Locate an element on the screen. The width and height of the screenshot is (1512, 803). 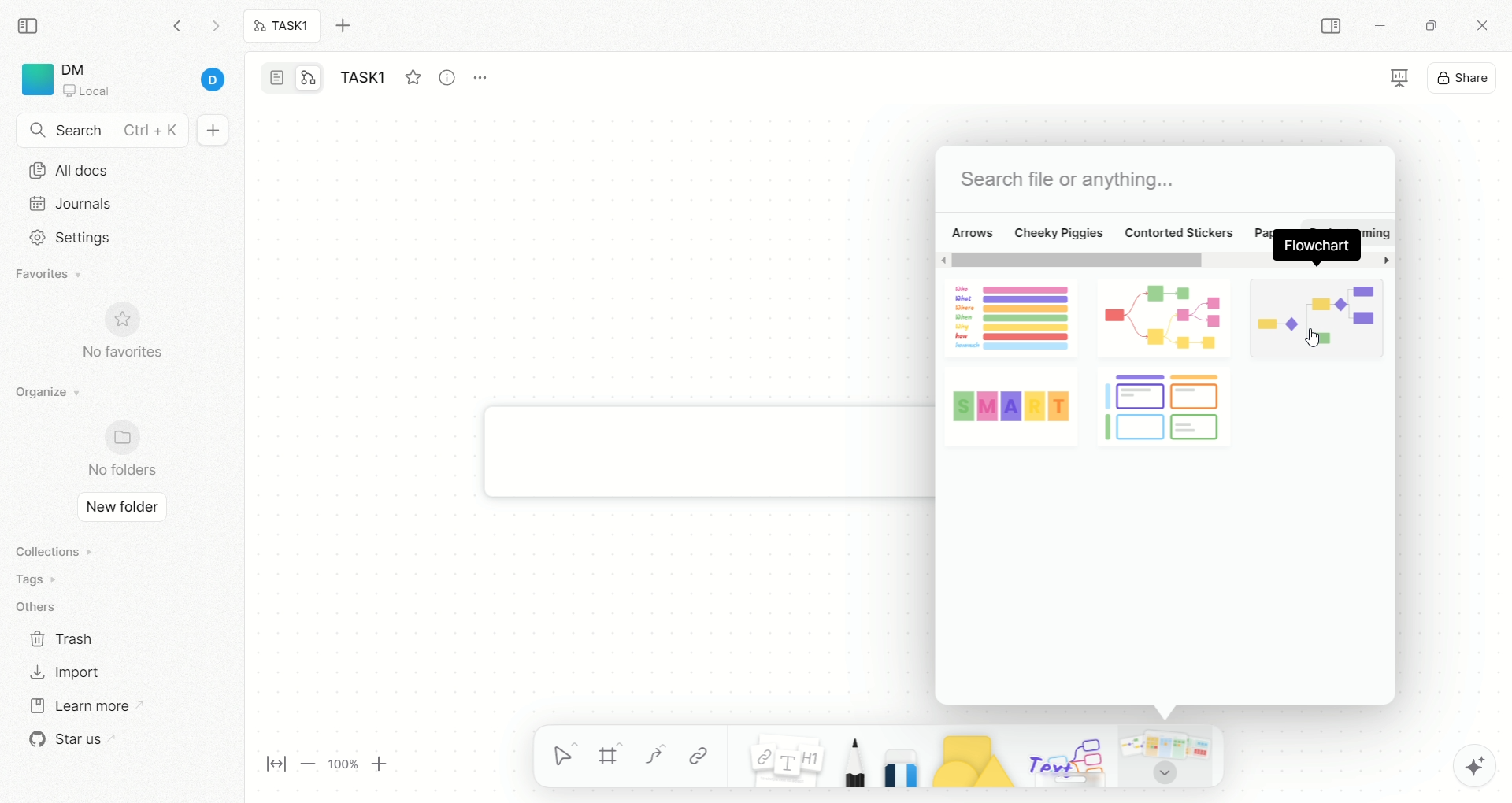
new folder is located at coordinates (117, 509).